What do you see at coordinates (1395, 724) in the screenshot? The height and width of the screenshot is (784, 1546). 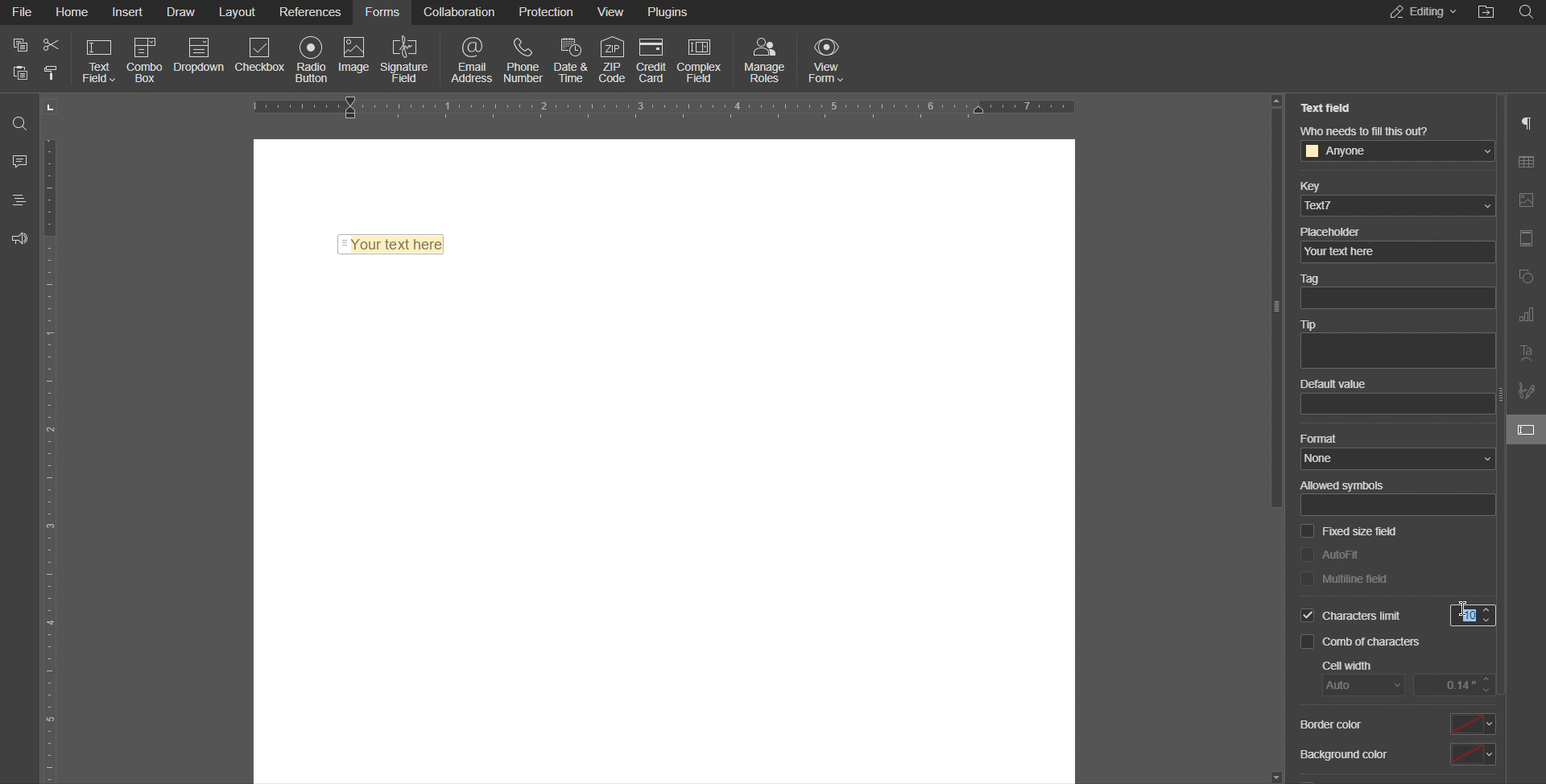 I see `Border color` at bounding box center [1395, 724].